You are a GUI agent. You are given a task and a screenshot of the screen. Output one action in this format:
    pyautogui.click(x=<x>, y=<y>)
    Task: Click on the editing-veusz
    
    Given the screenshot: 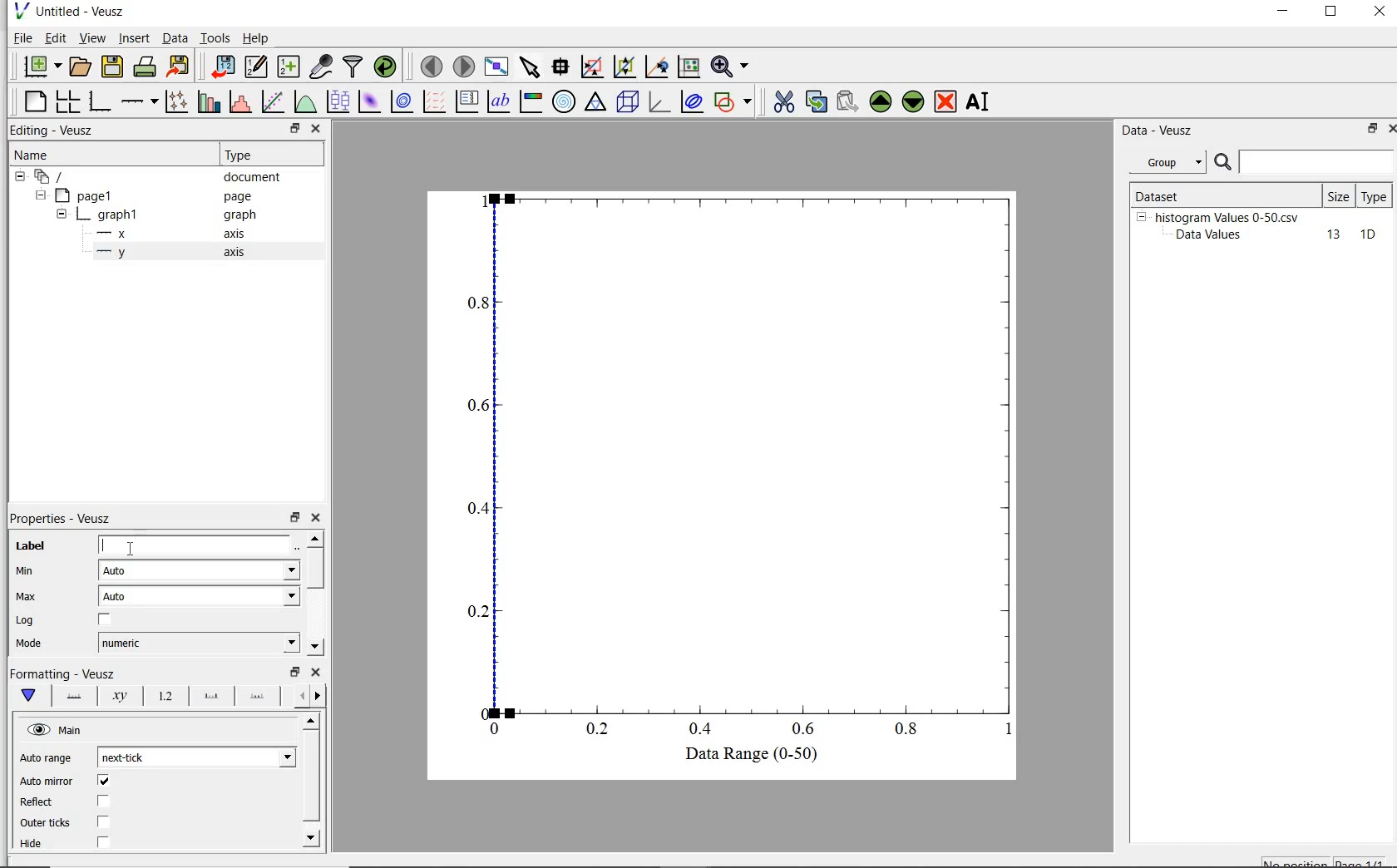 What is the action you would take?
    pyautogui.click(x=52, y=131)
    